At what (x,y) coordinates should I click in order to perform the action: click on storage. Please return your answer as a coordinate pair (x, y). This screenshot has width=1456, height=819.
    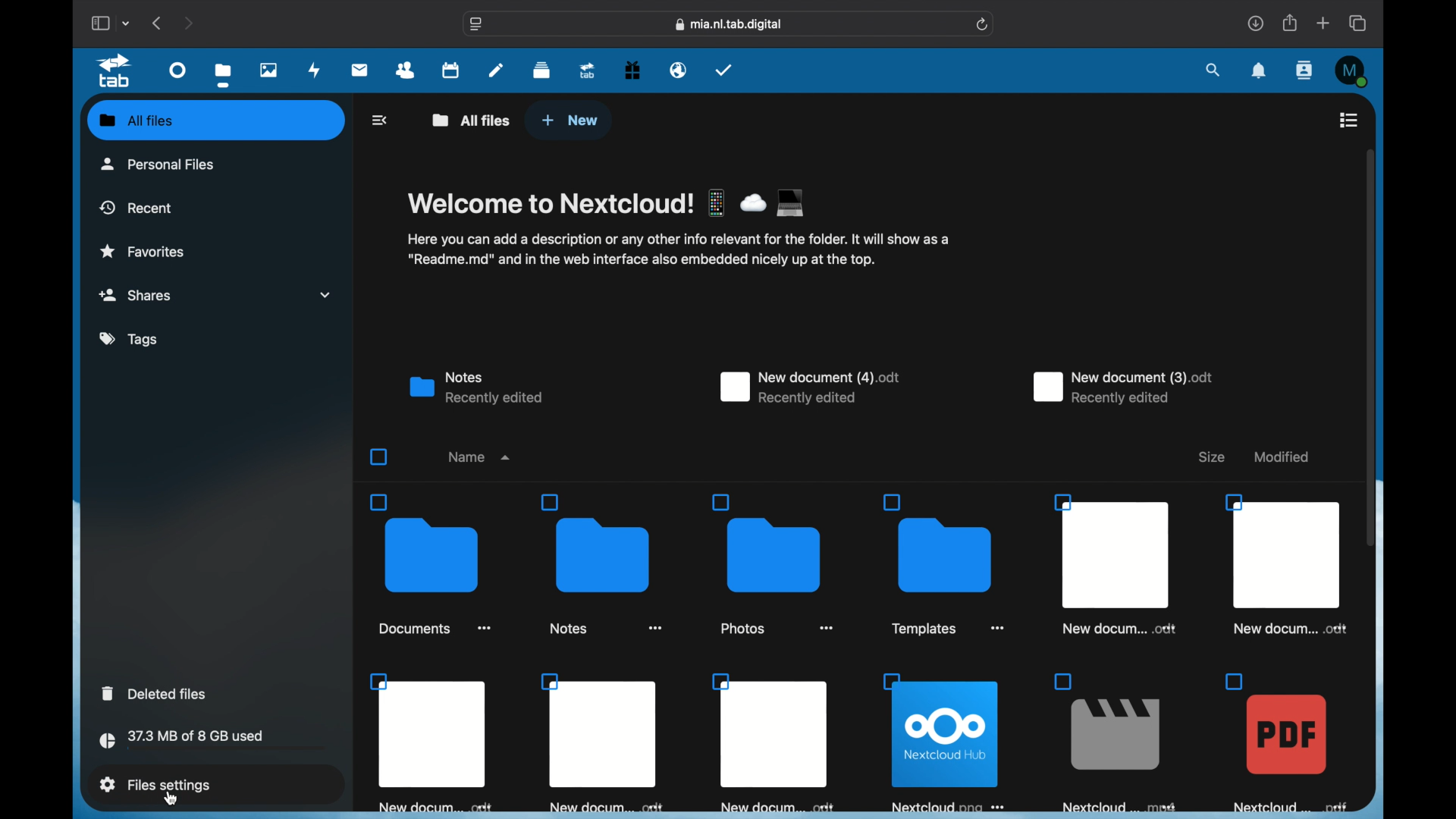
    Looking at the image, I should click on (212, 742).